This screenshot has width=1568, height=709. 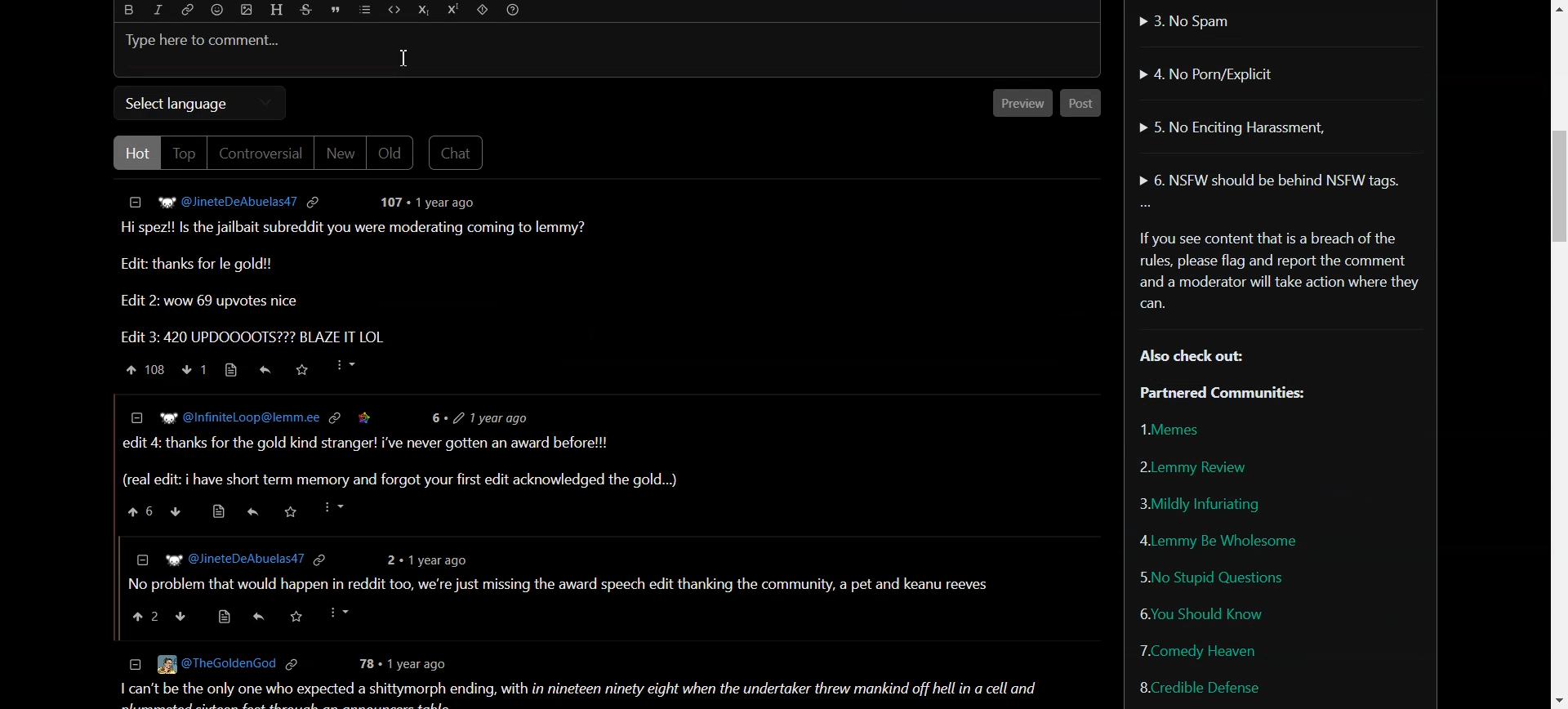 I want to click on No Enciting Harassment,, so click(x=1235, y=127).